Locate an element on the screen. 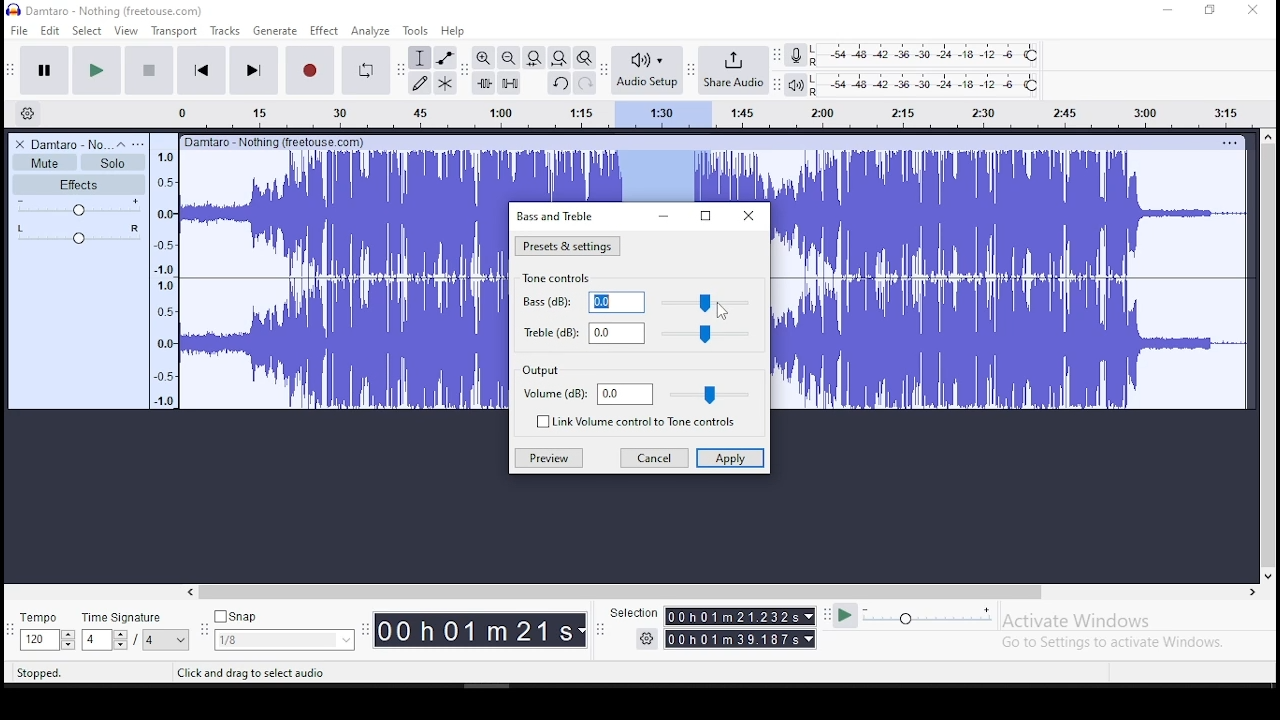 The height and width of the screenshot is (720, 1280). help is located at coordinates (453, 32).